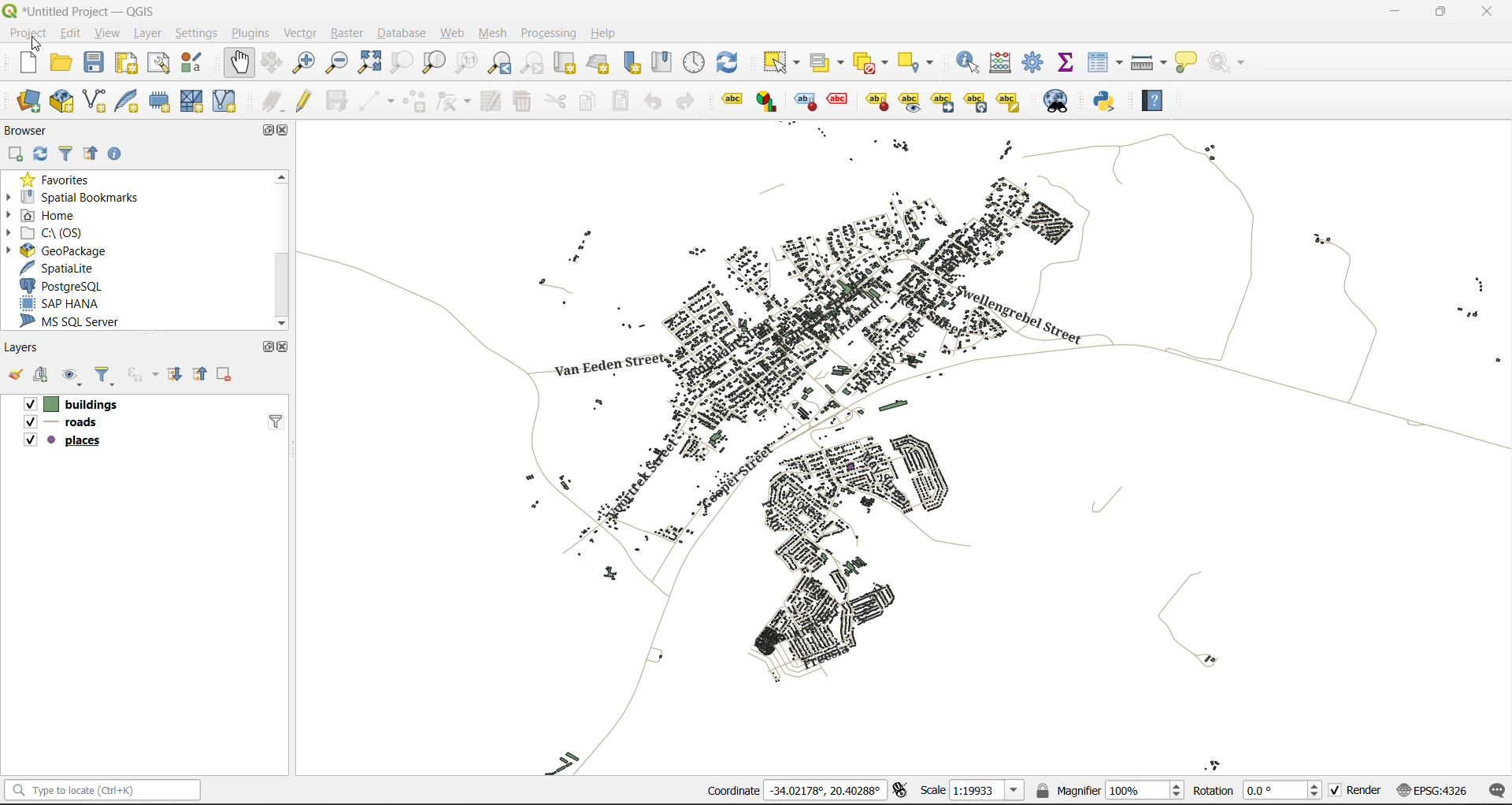 This screenshot has width=1512, height=805. I want to click on ms sql server, so click(75, 321).